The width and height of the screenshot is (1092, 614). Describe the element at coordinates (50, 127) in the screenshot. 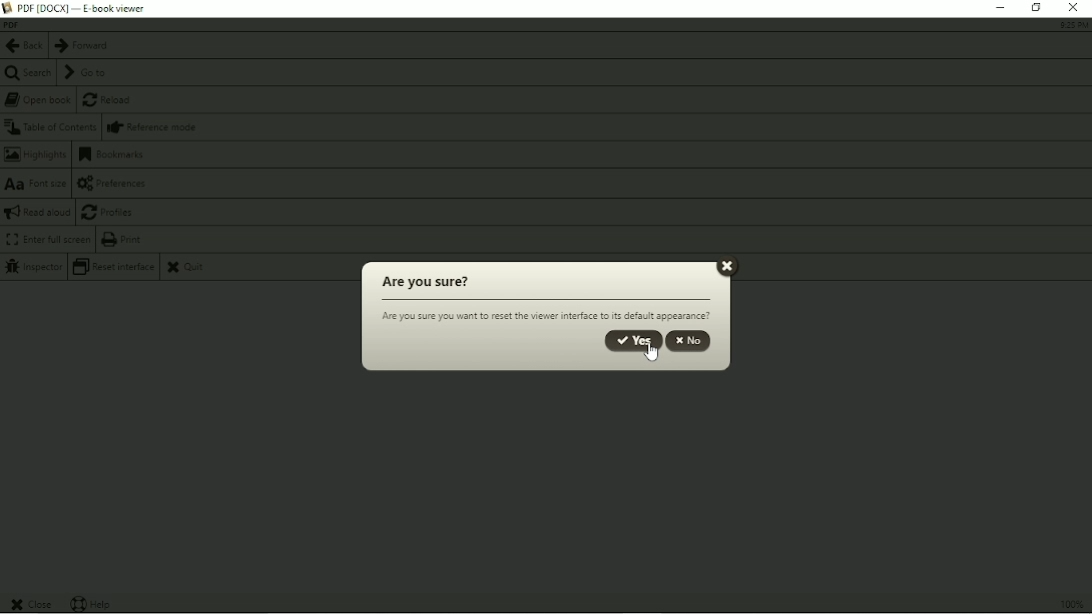

I see `Table of contents` at that location.